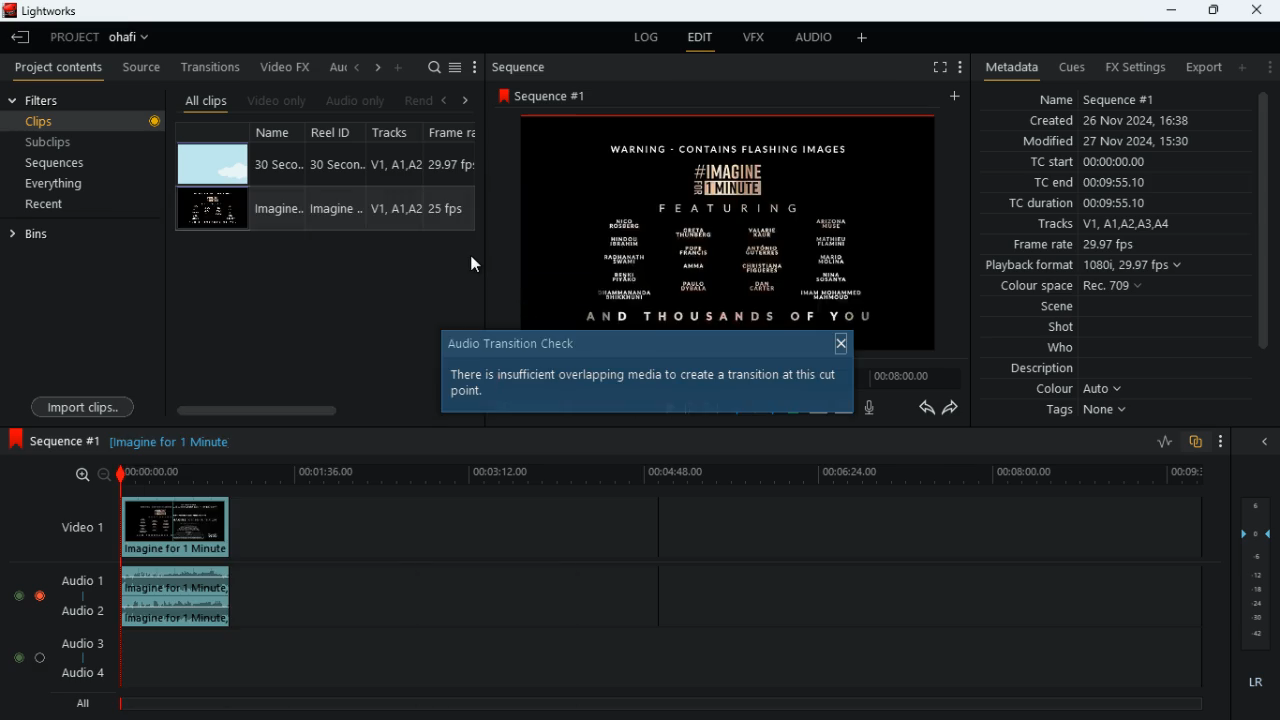  Describe the element at coordinates (334, 165) in the screenshot. I see `30 secon...` at that location.